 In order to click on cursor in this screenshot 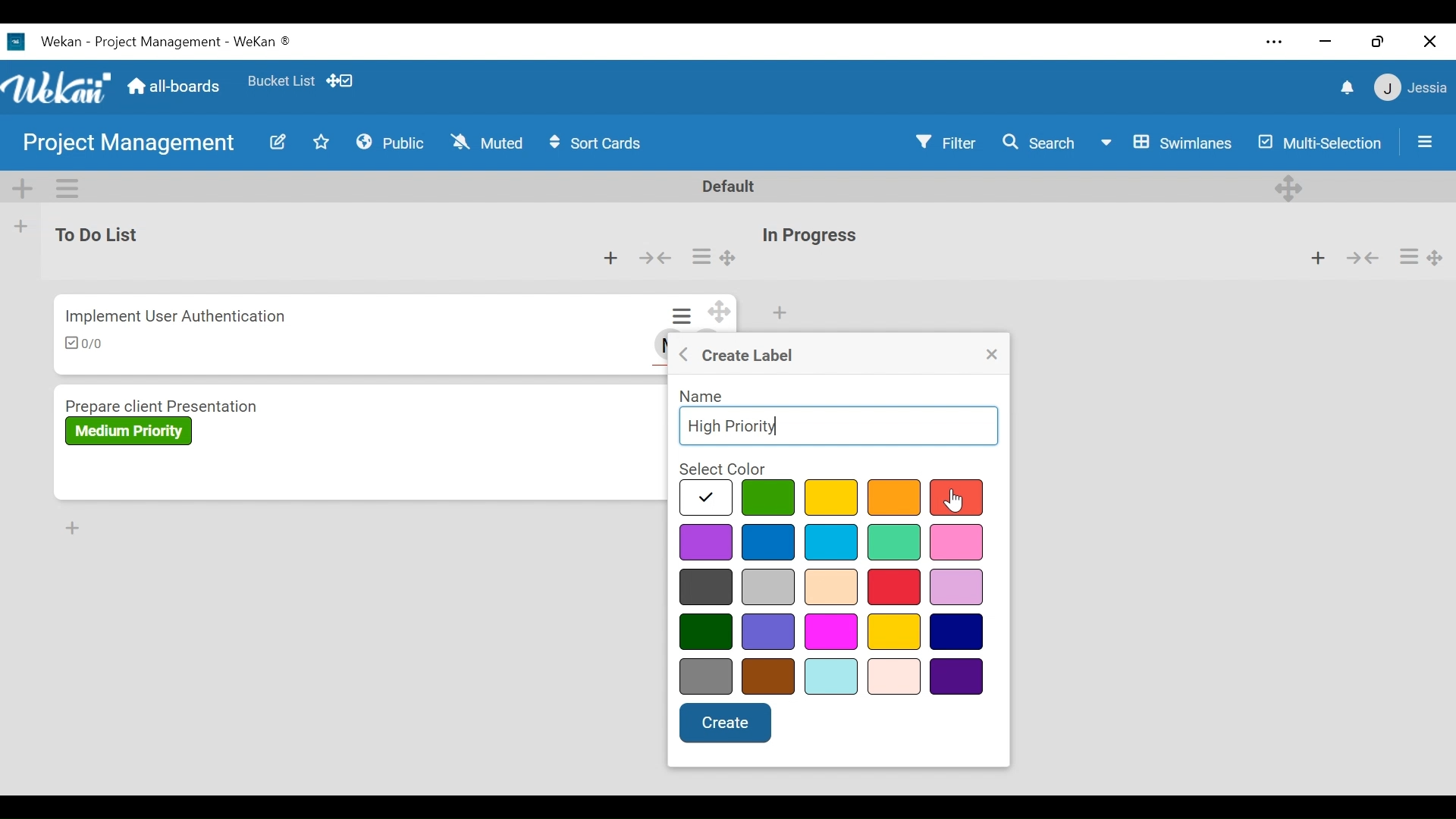, I will do `click(953, 506)`.